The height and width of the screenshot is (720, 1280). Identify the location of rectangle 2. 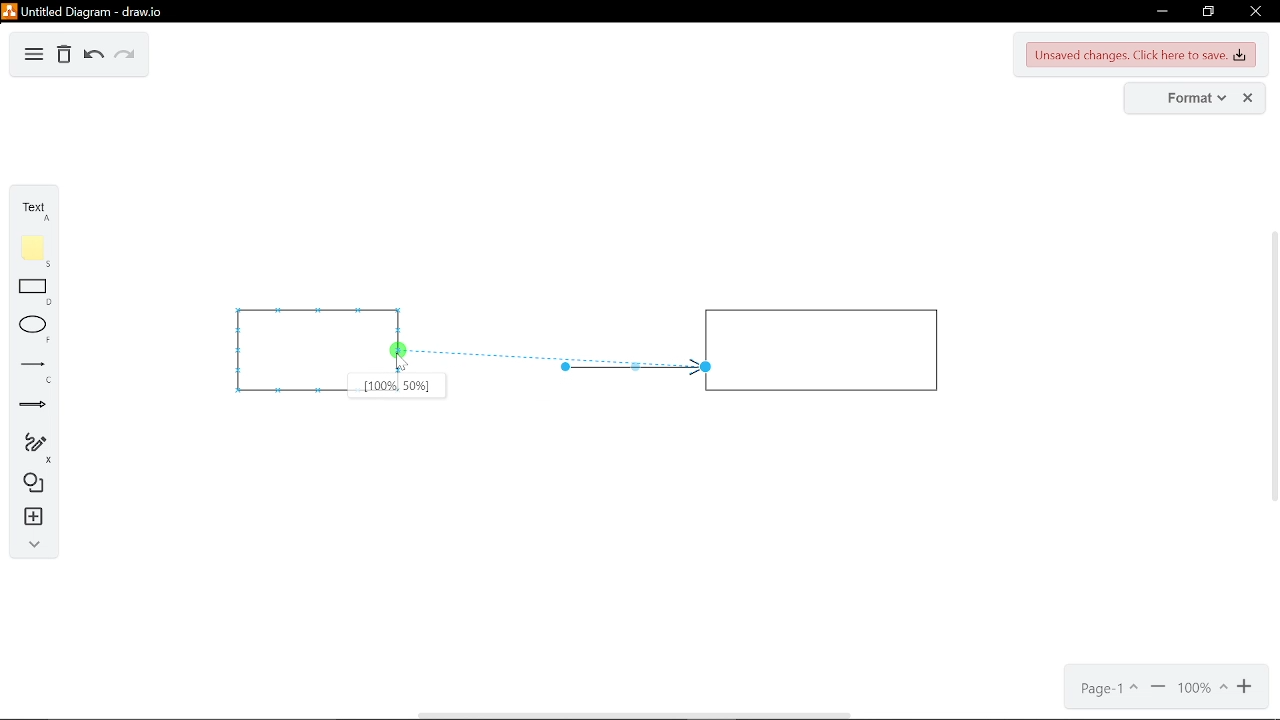
(827, 350).